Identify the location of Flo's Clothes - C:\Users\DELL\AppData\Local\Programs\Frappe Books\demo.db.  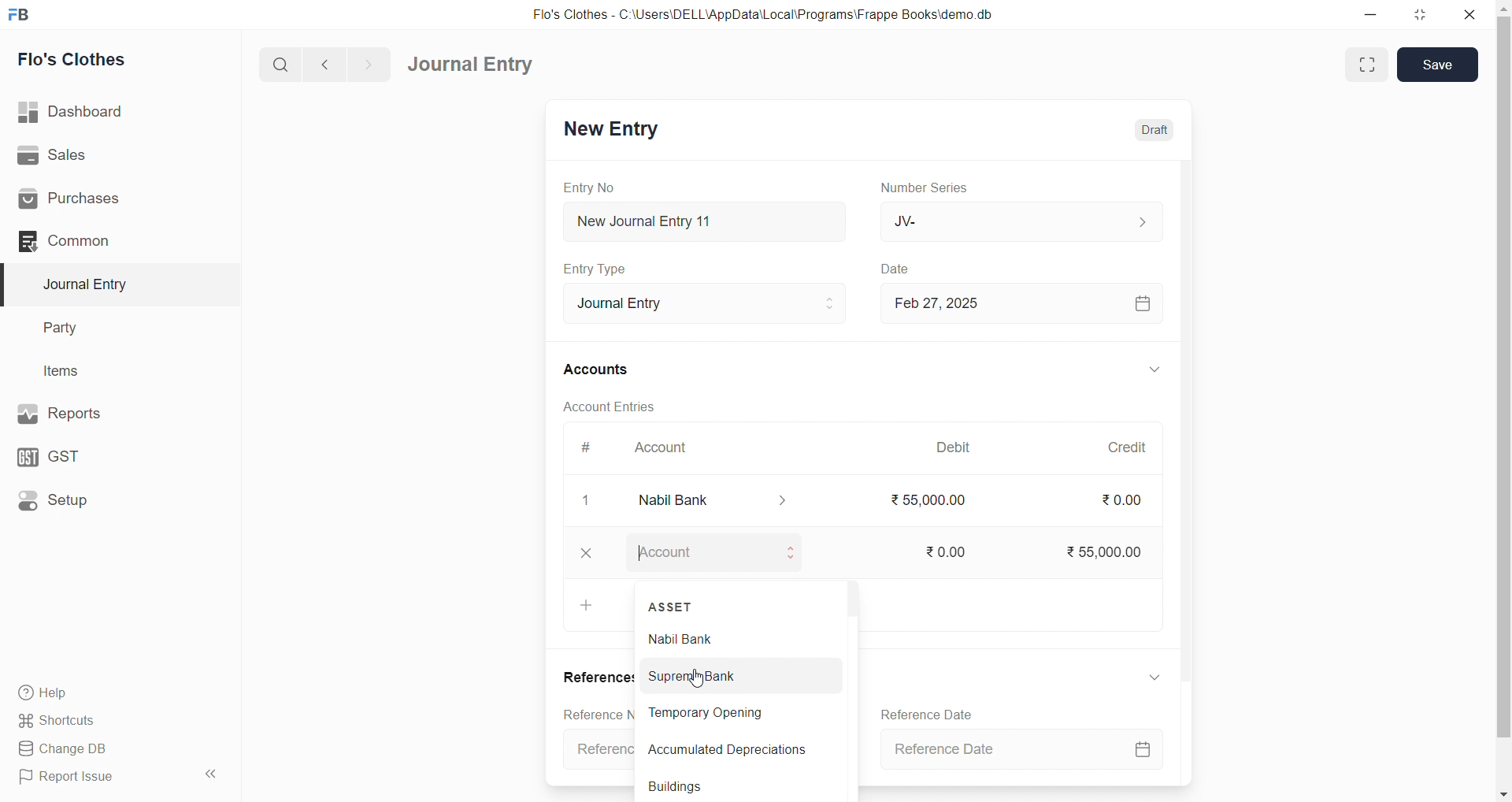
(771, 13).